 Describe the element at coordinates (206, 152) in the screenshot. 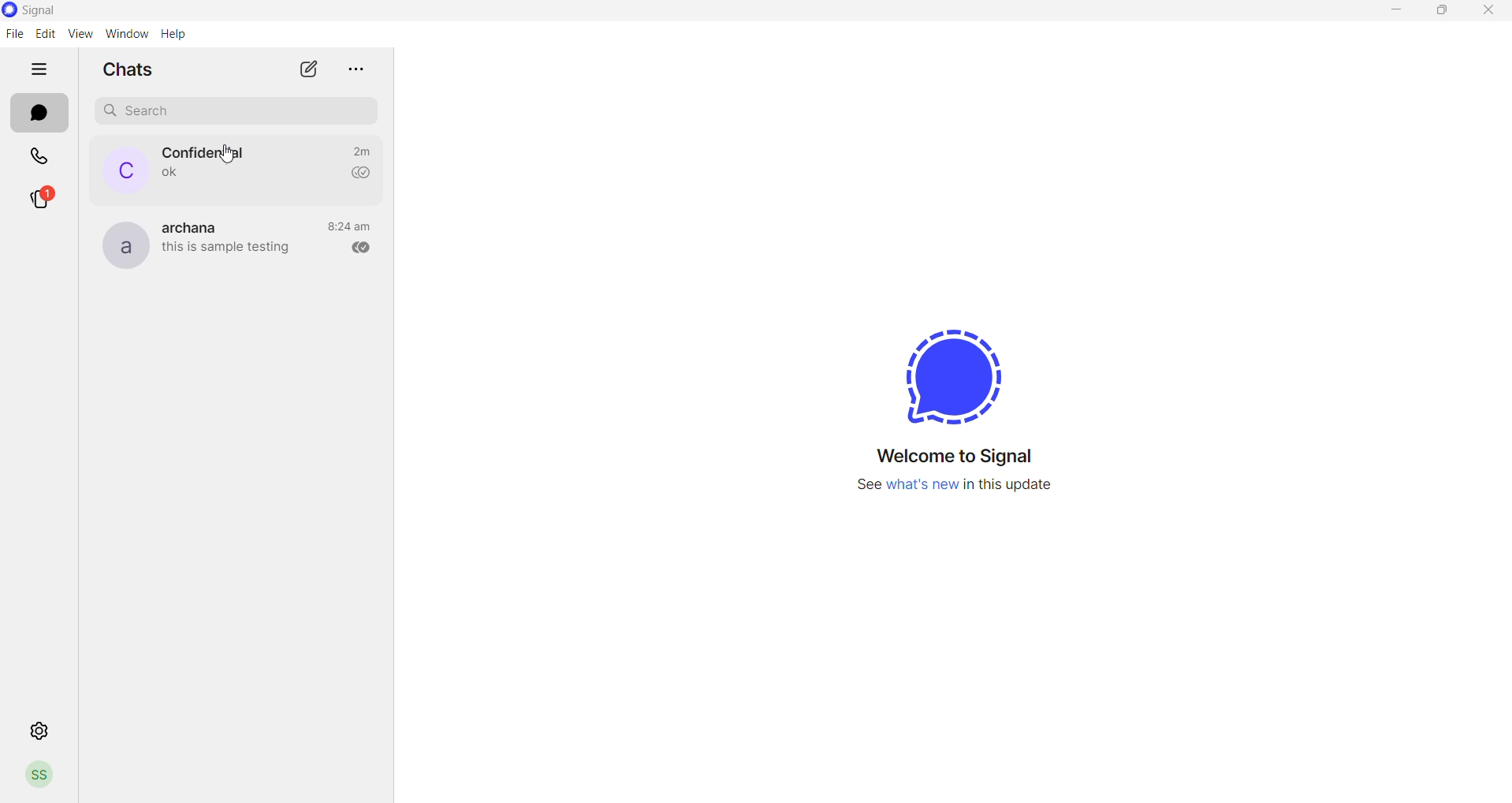

I see `contact name` at that location.